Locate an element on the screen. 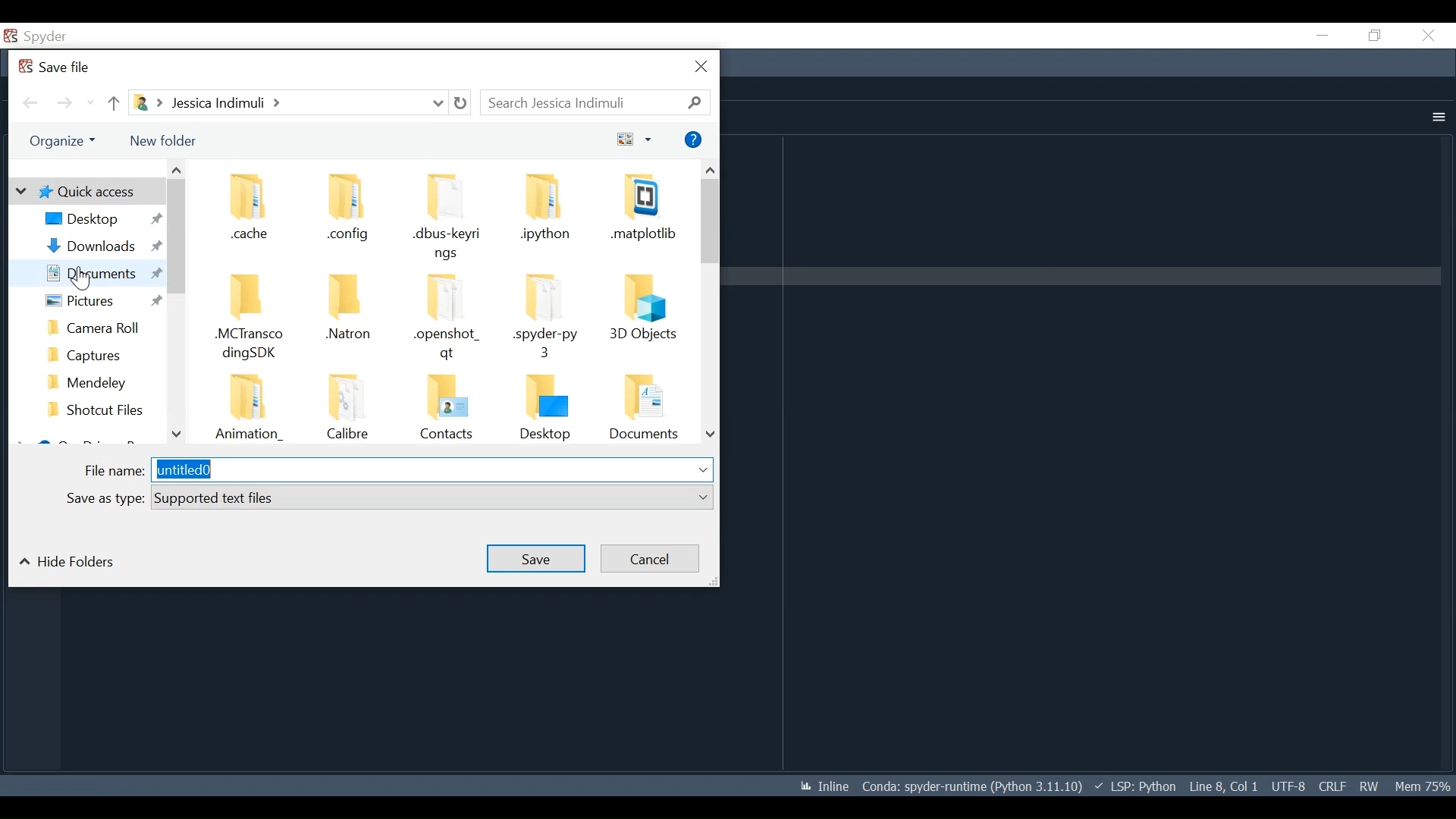 The width and height of the screenshot is (1456, 819). Pictures is located at coordinates (95, 301).